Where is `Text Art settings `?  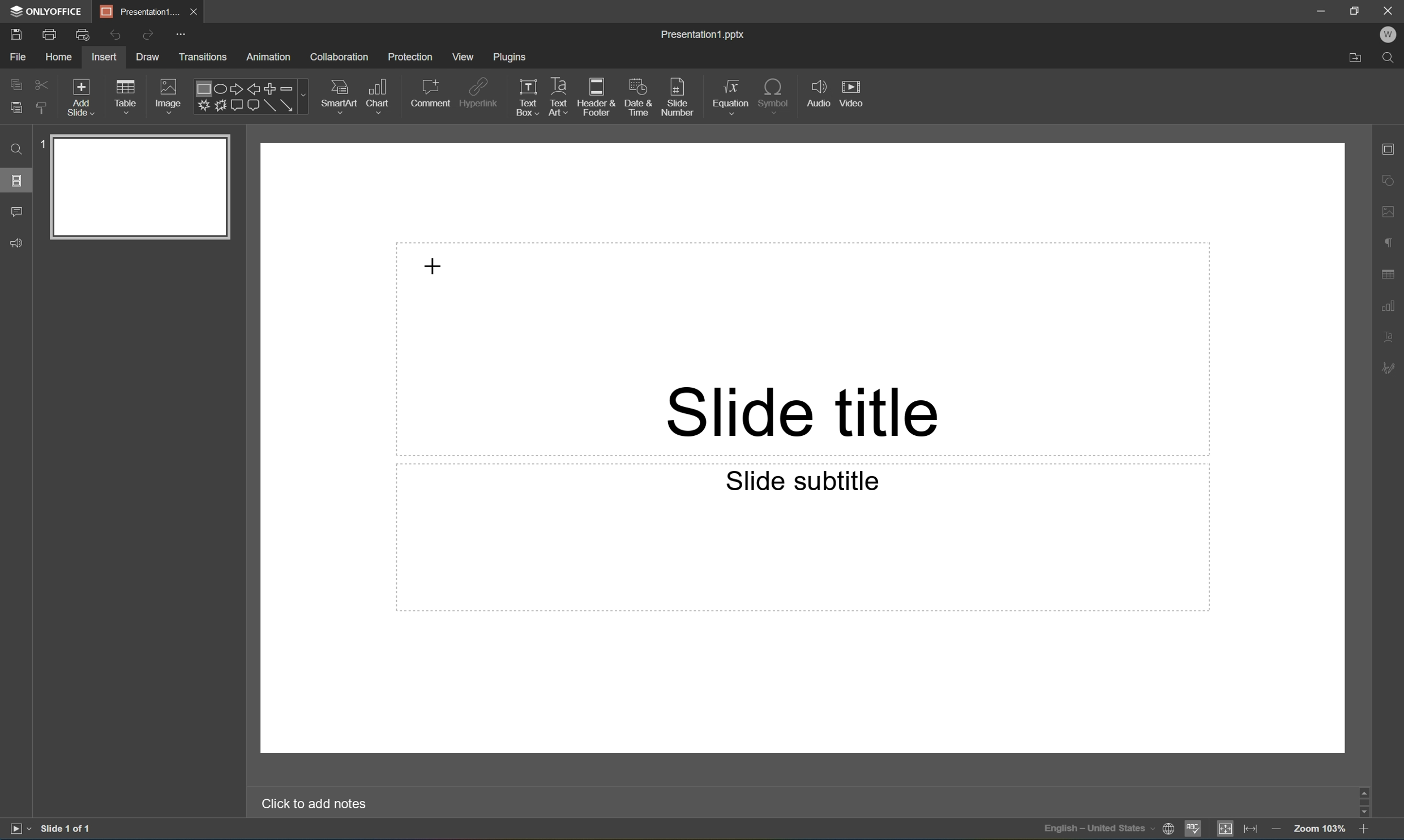 Text Art settings  is located at coordinates (1392, 335).